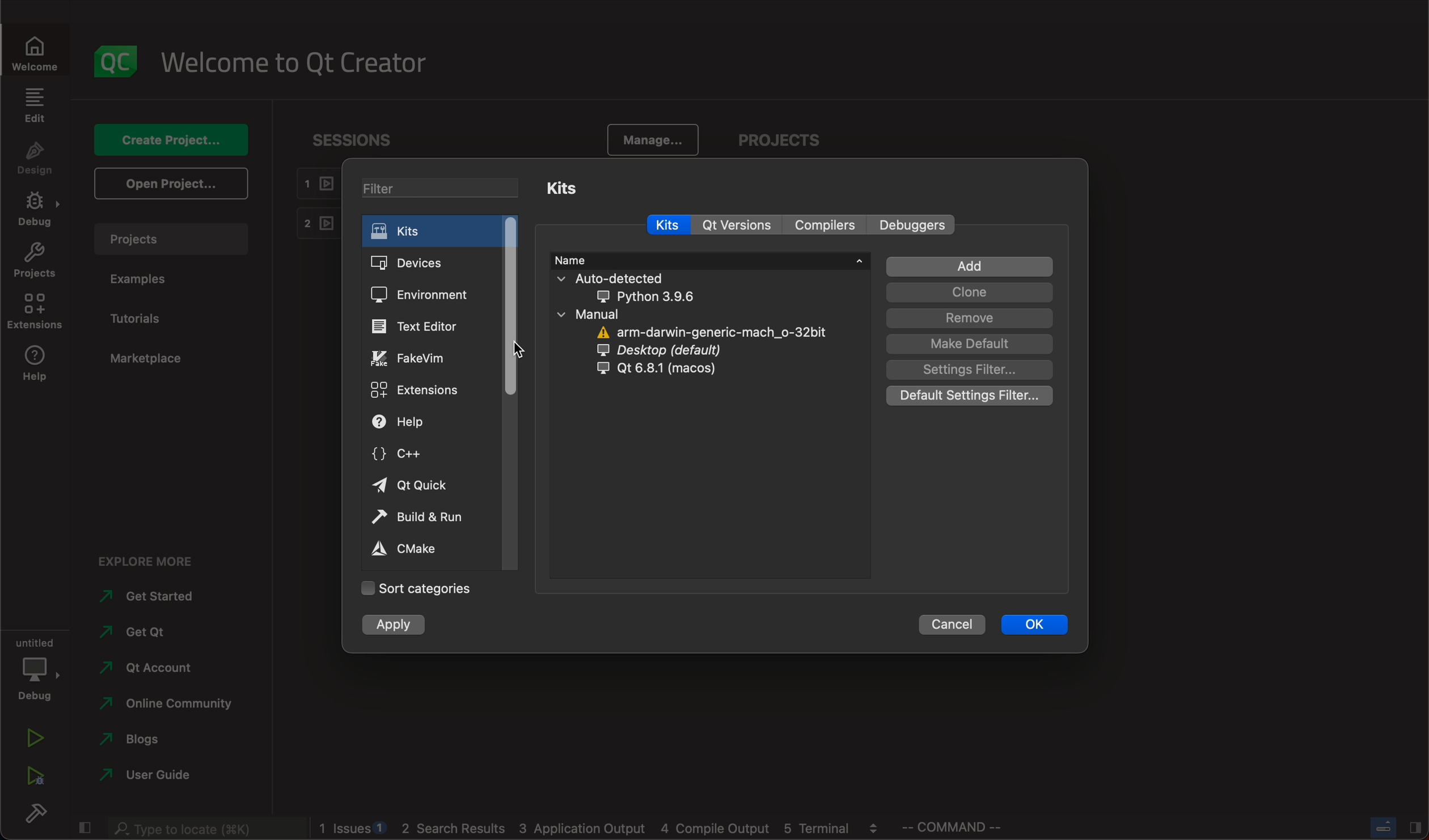 Image resolution: width=1429 pixels, height=840 pixels. Describe the element at coordinates (426, 388) in the screenshot. I see `extensions` at that location.